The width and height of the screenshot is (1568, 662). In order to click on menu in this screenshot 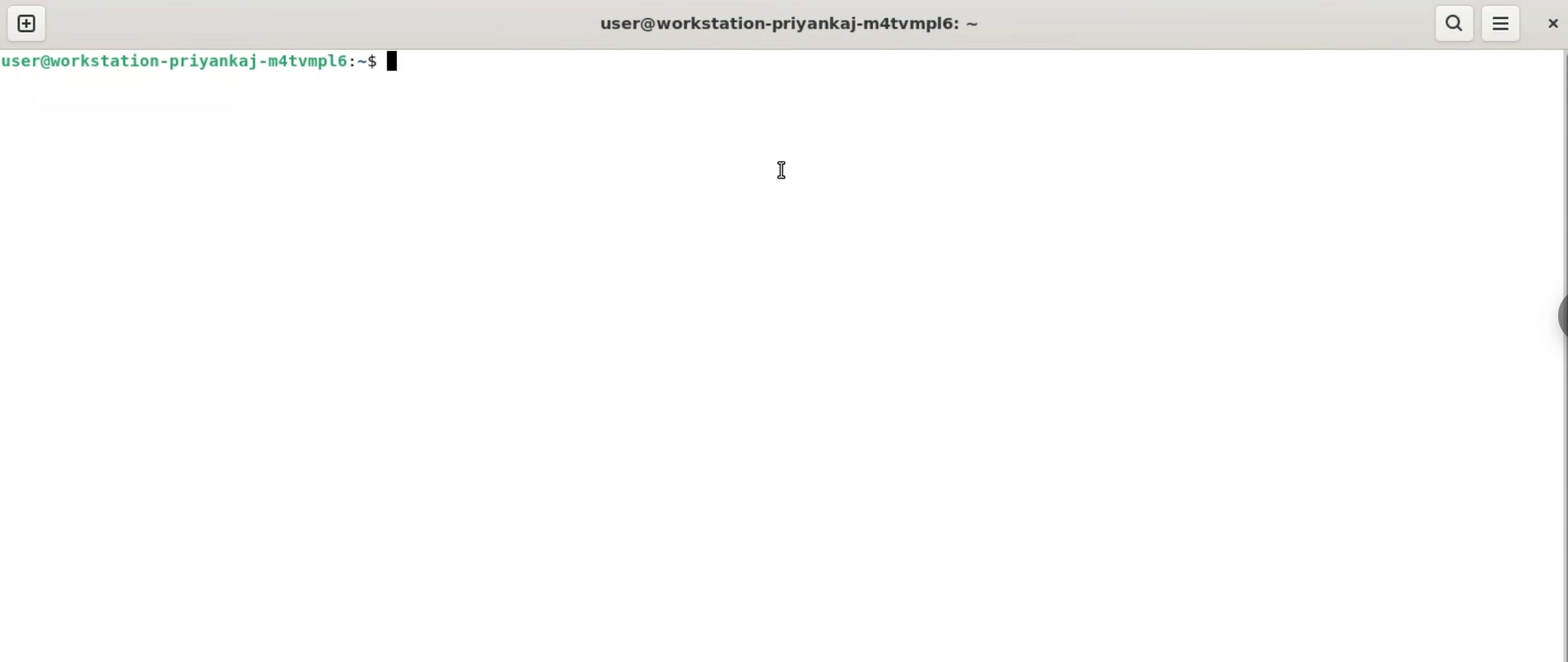, I will do `click(1501, 23)`.